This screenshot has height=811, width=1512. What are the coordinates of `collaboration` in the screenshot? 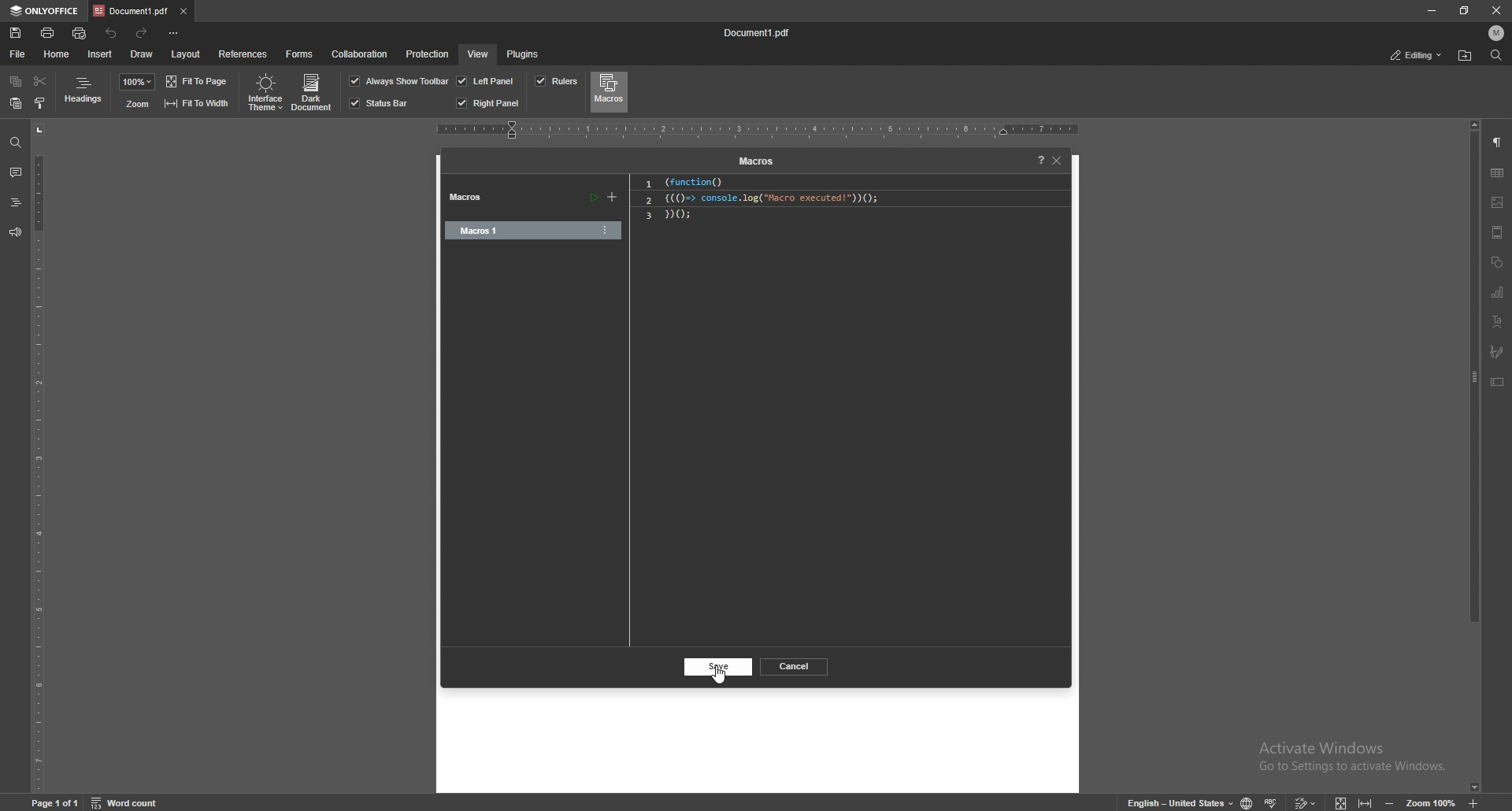 It's located at (362, 55).